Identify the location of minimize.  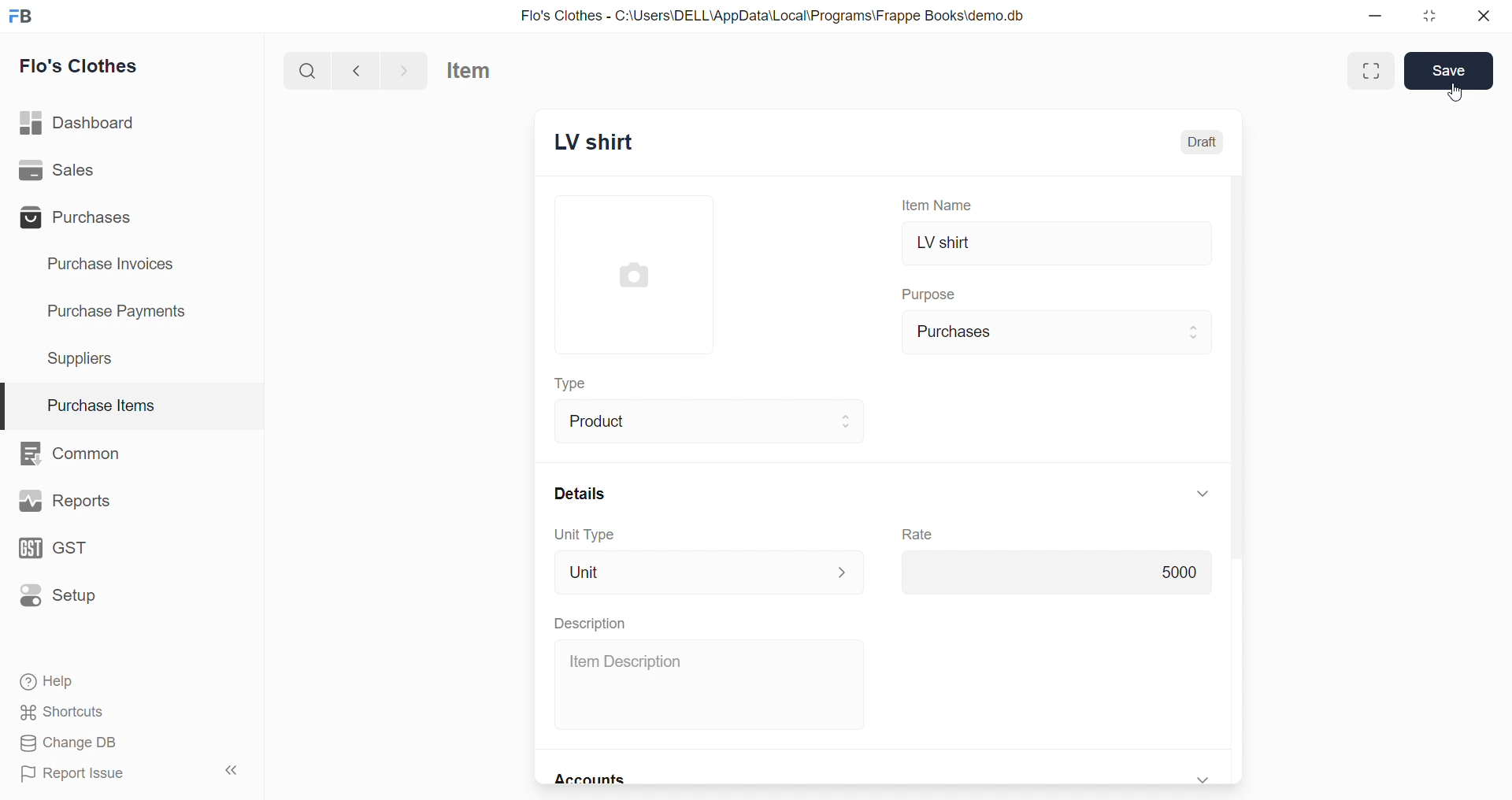
(1381, 16).